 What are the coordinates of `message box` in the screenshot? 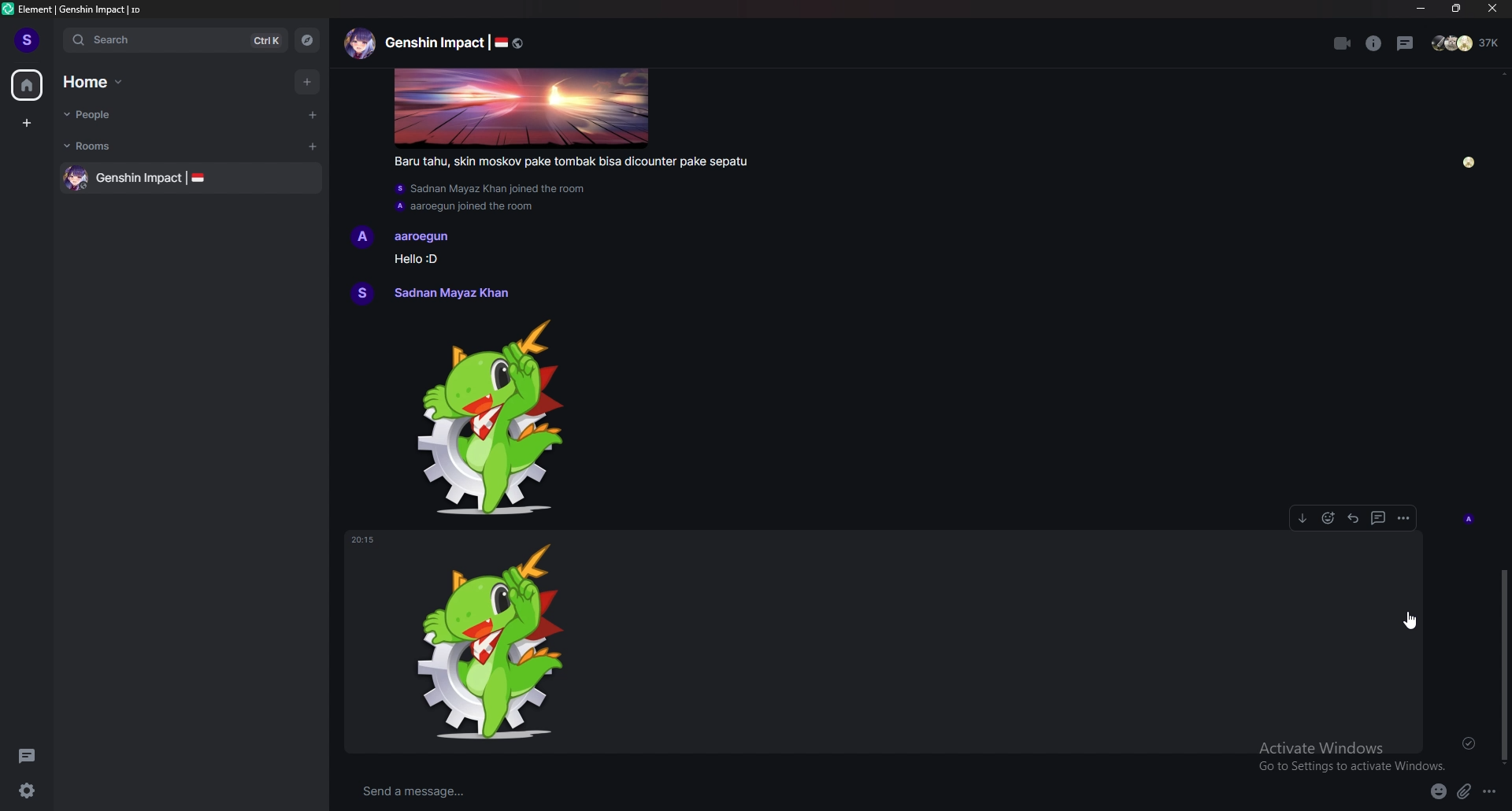 It's located at (673, 792).